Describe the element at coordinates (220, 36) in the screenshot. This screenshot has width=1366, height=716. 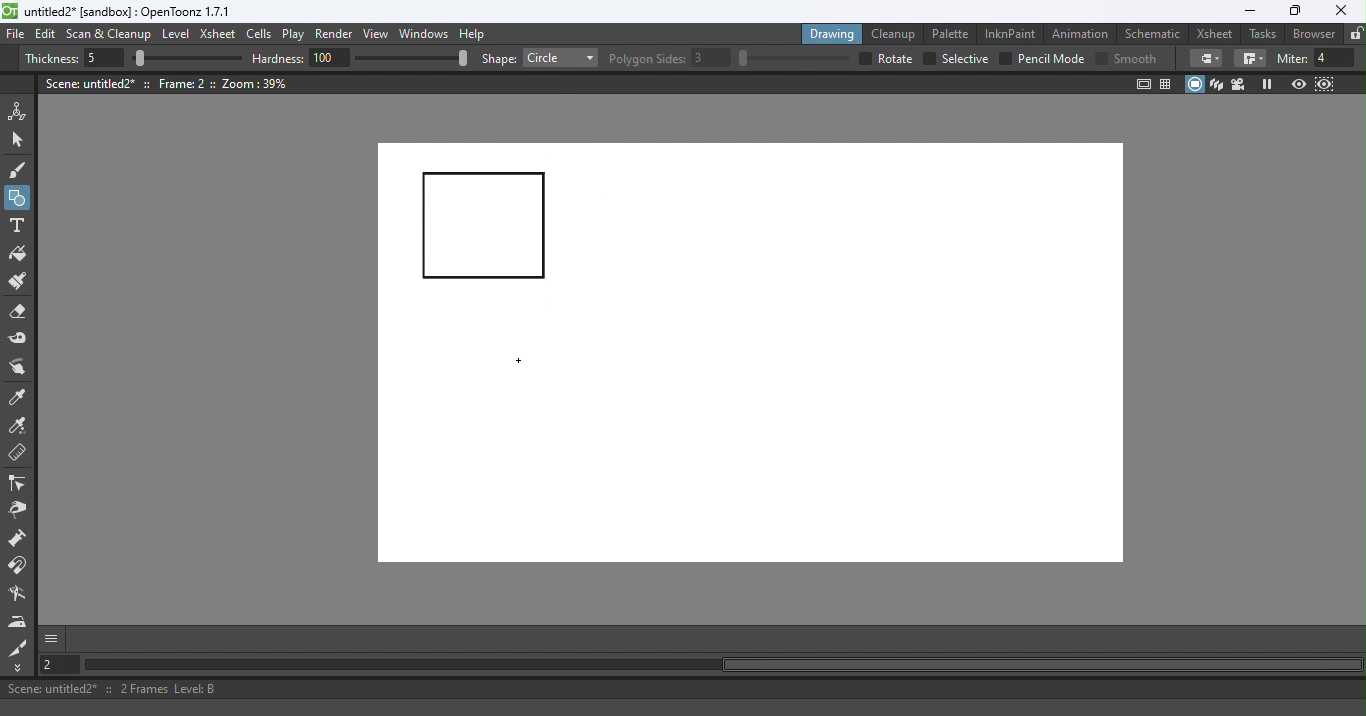
I see `Xsheet` at that location.